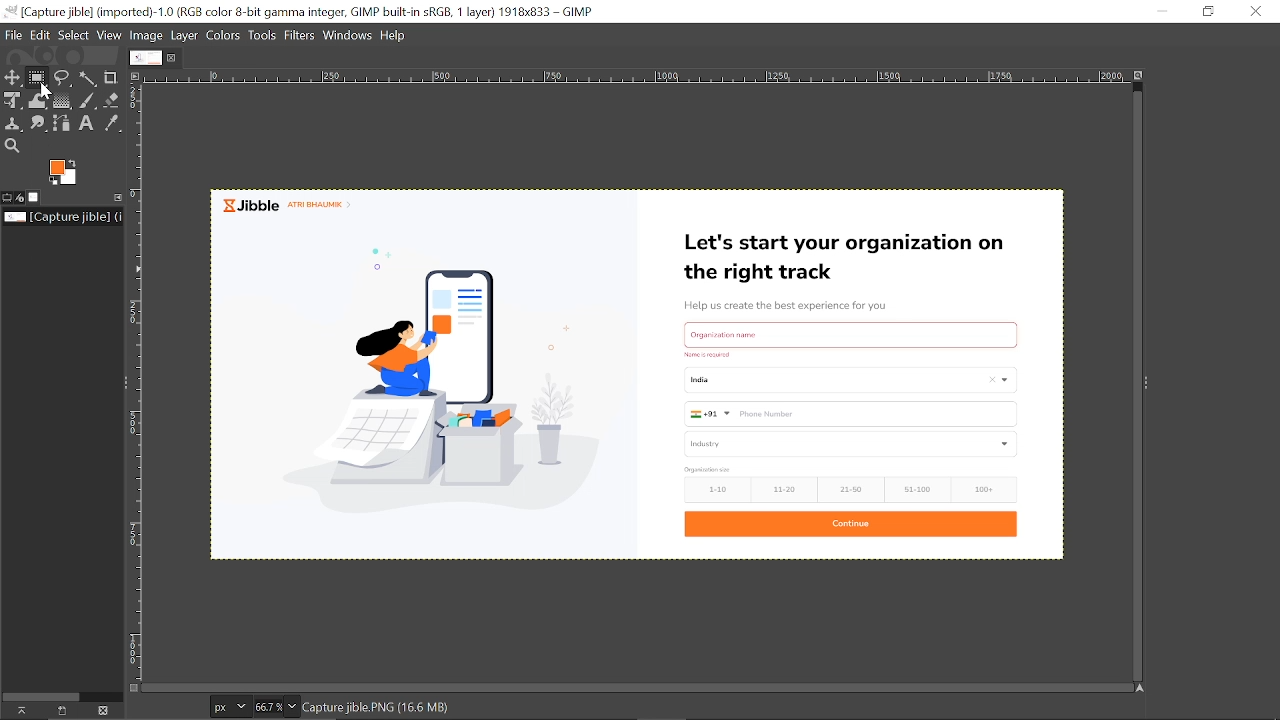 Image resolution: width=1280 pixels, height=720 pixels. I want to click on gradiaent tool, so click(61, 100).